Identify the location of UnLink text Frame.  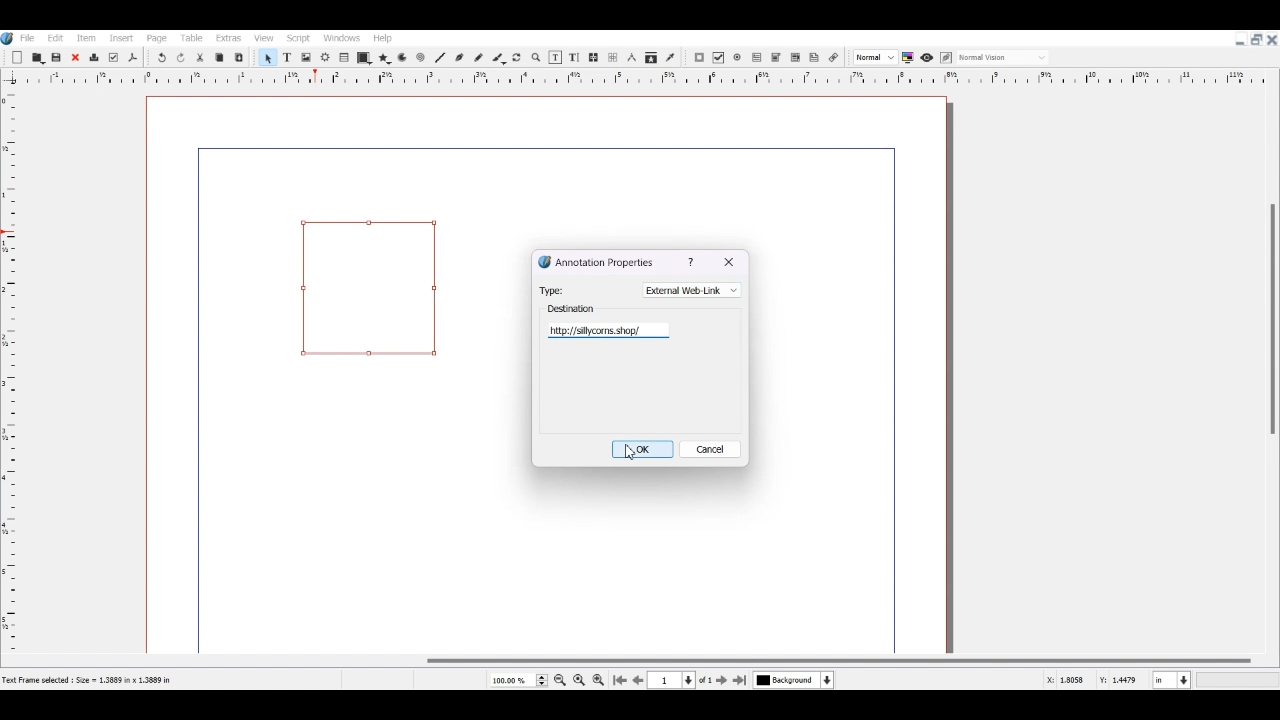
(613, 58).